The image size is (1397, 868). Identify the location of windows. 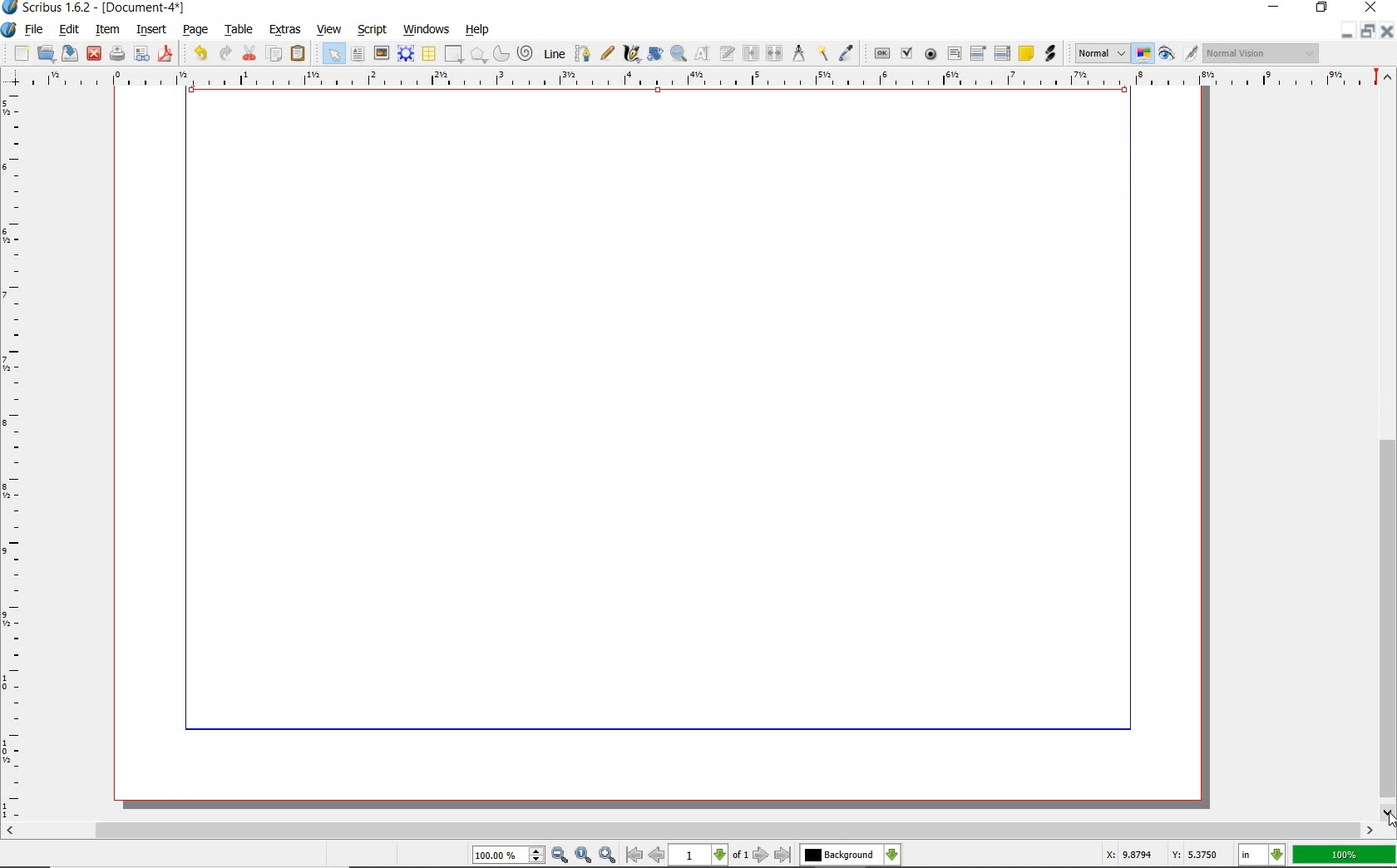
(426, 29).